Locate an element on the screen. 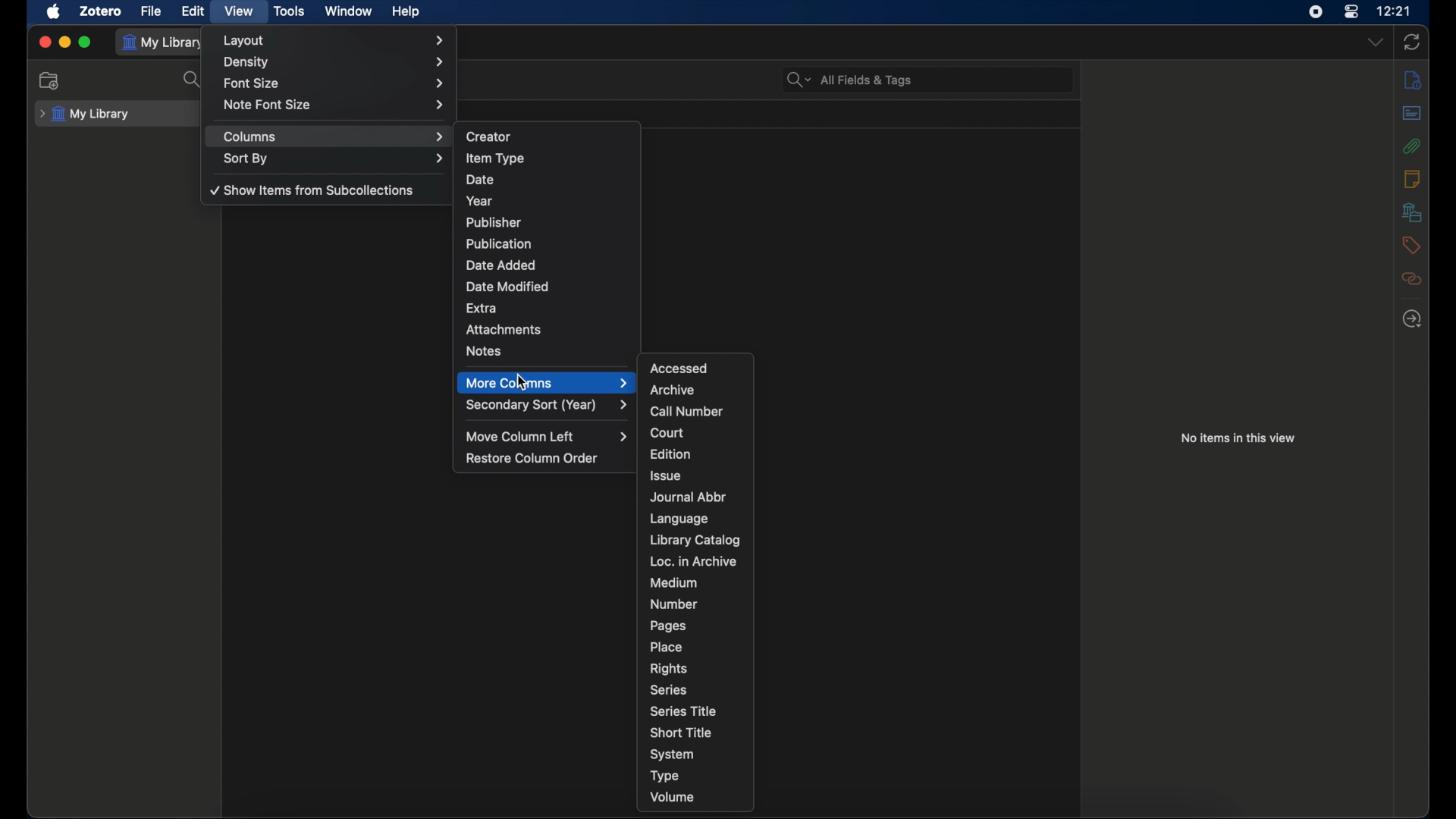 The image size is (1456, 819). edit is located at coordinates (193, 11).